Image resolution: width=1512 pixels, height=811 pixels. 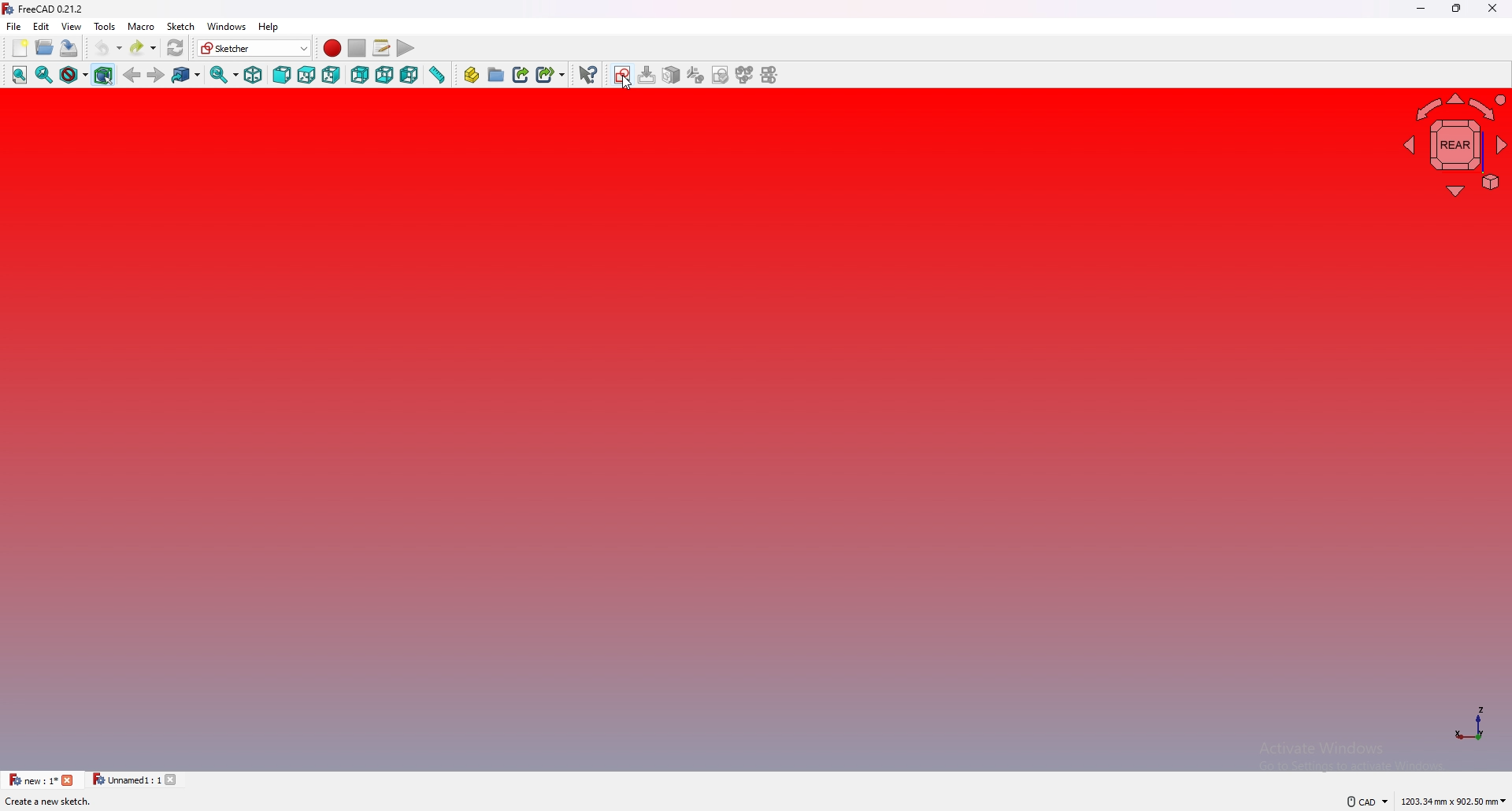 What do you see at coordinates (332, 49) in the screenshot?
I see `record macro` at bounding box center [332, 49].